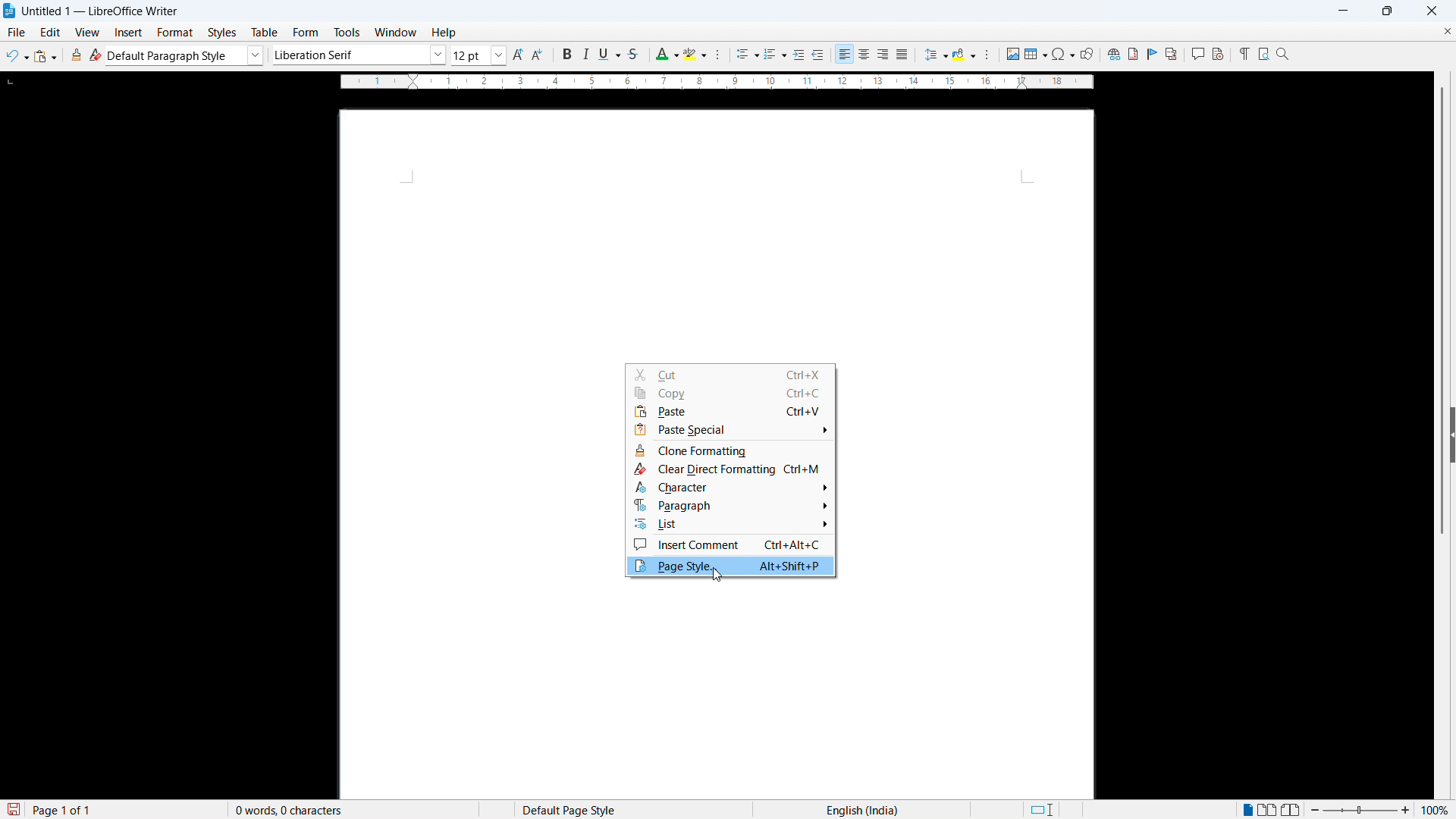 The image size is (1456, 819). I want to click on Character , so click(722, 55).